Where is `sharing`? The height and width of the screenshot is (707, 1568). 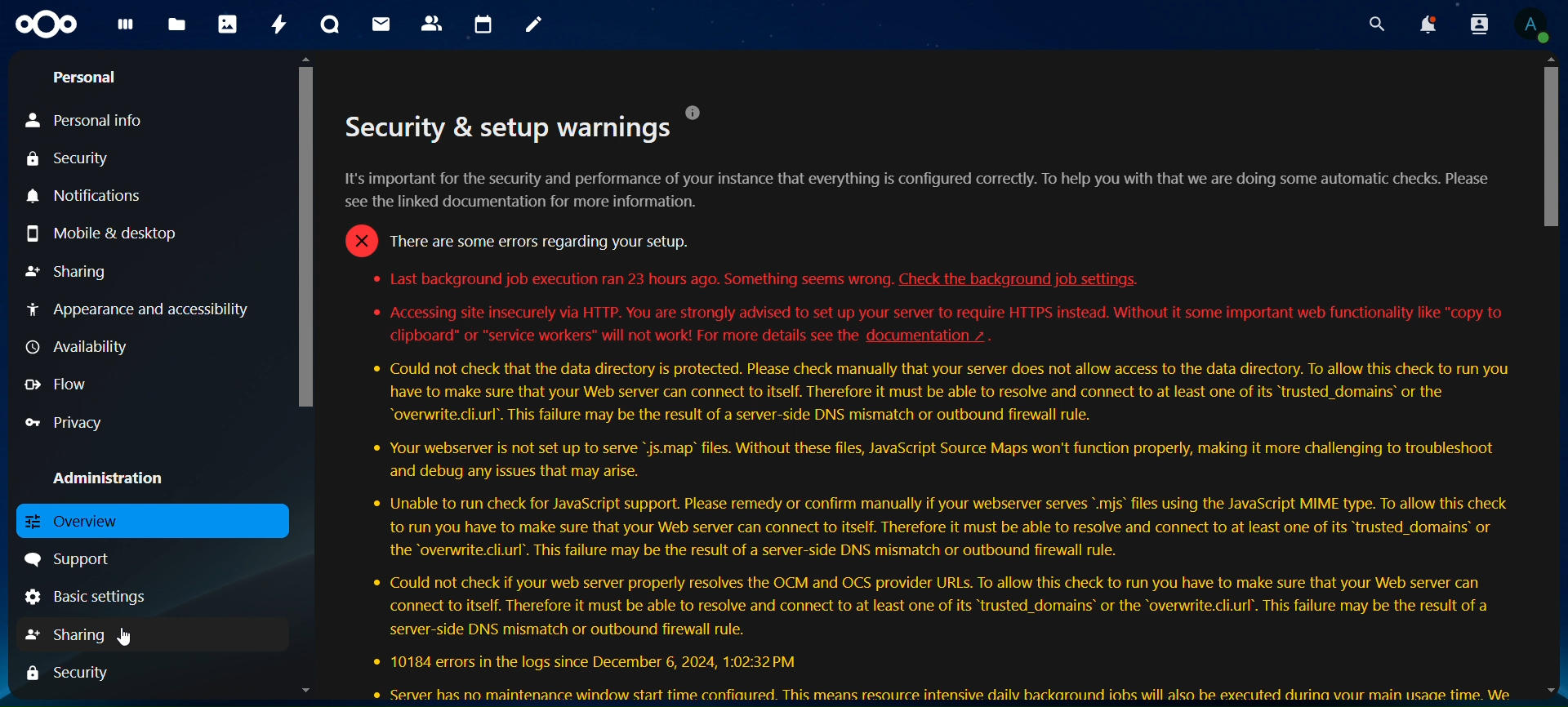 sharing is located at coordinates (74, 634).